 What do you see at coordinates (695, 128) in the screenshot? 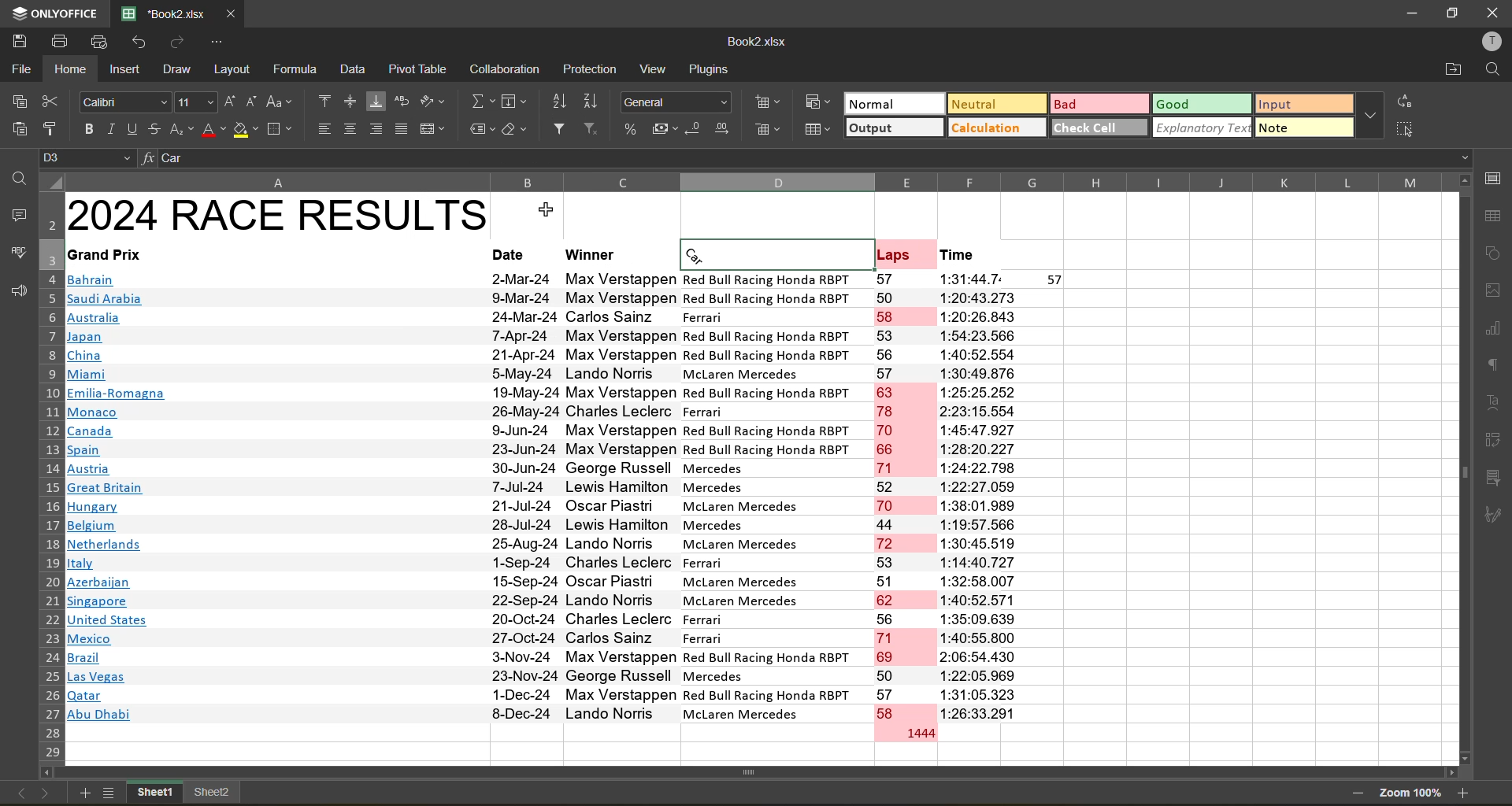
I see `decrease decimal` at bounding box center [695, 128].